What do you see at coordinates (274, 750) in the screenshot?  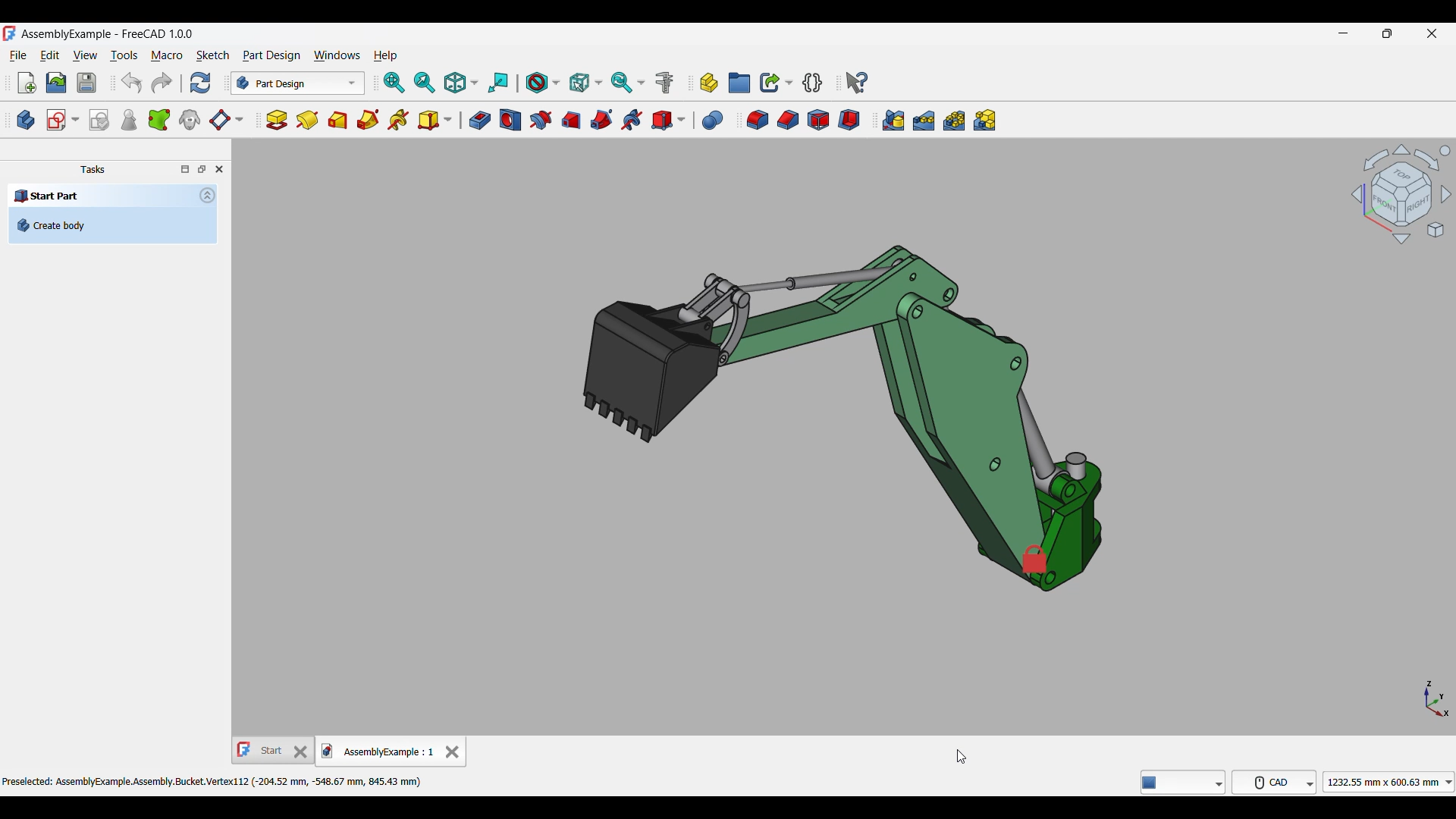 I see `Other tab` at bounding box center [274, 750].